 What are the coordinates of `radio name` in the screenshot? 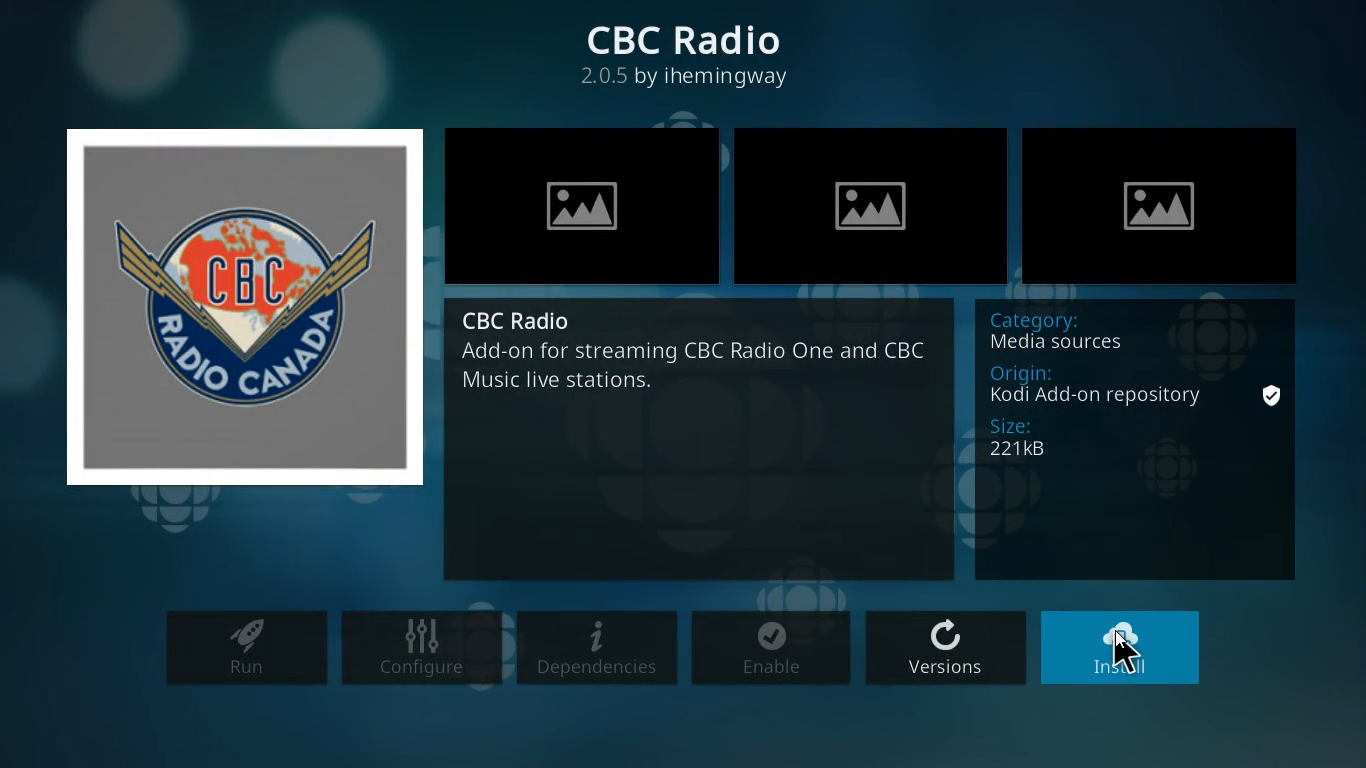 It's located at (524, 320).